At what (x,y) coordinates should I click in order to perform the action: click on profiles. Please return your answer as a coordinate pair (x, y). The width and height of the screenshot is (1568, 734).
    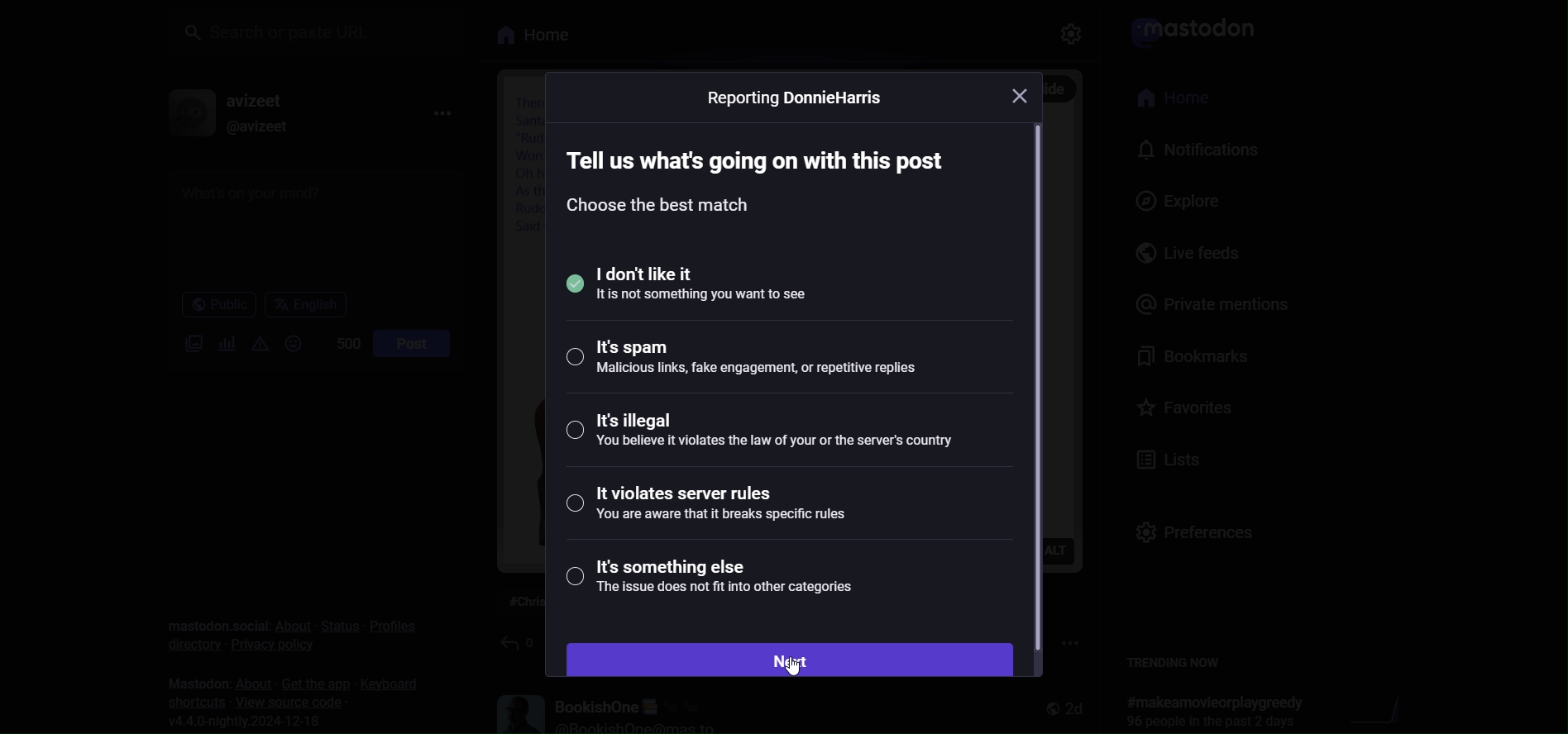
    Looking at the image, I should click on (393, 625).